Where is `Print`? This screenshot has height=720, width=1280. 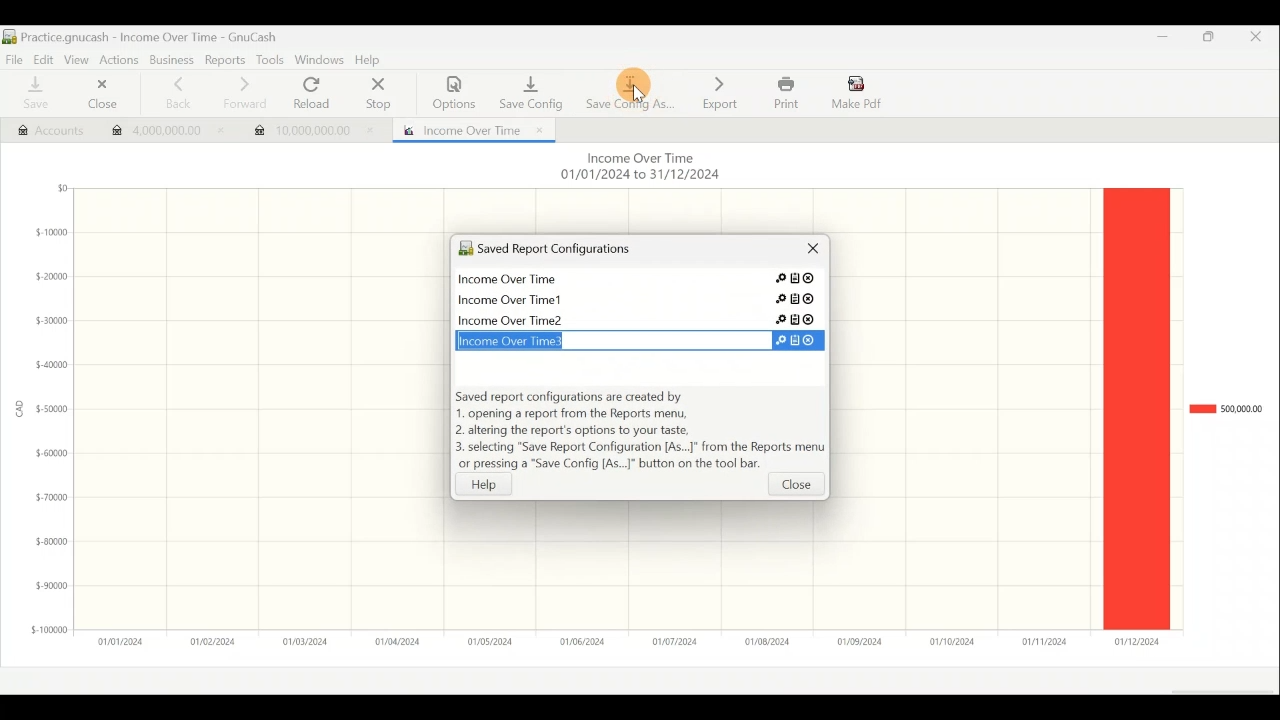 Print is located at coordinates (784, 93).